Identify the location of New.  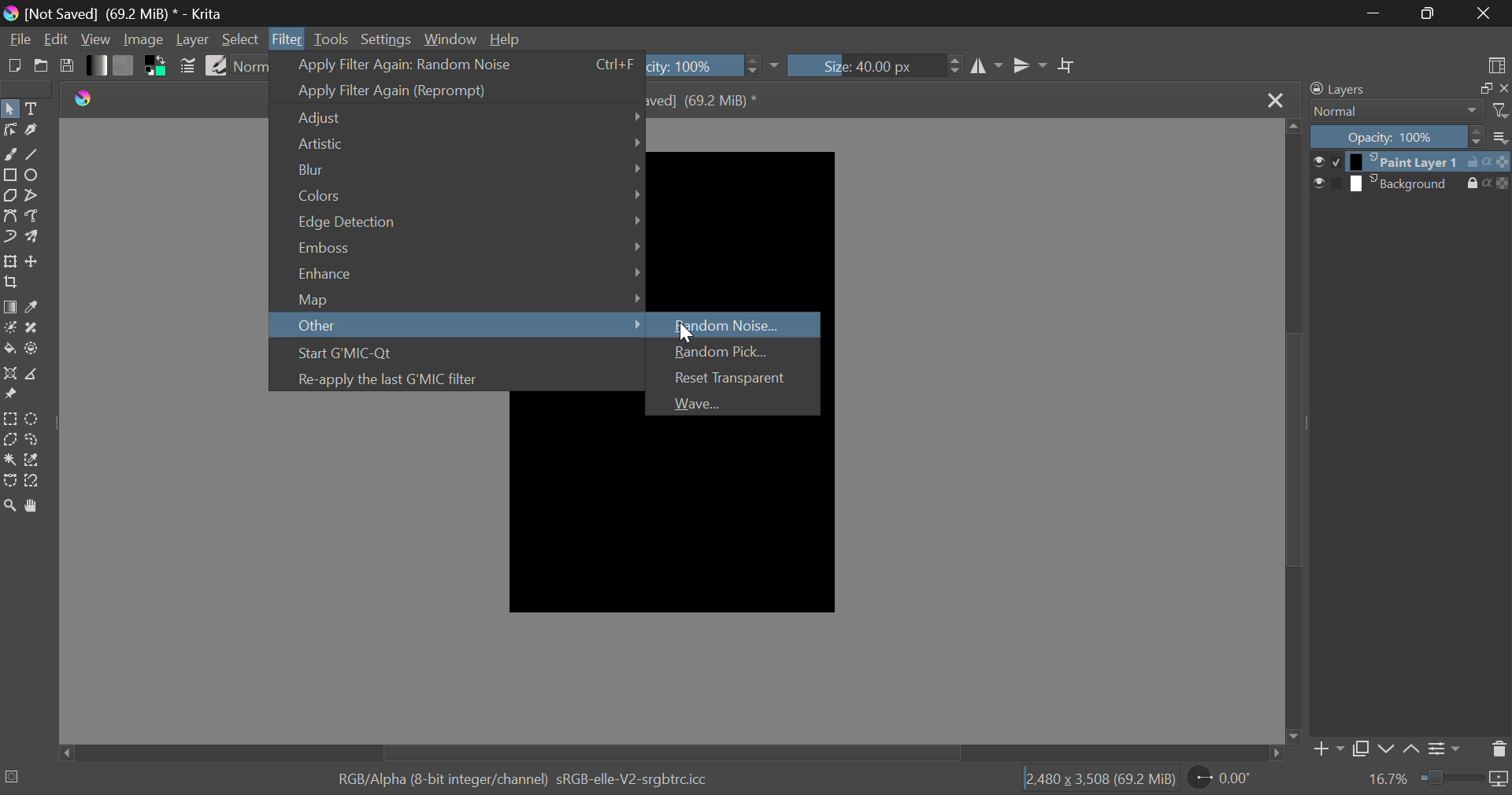
(13, 66).